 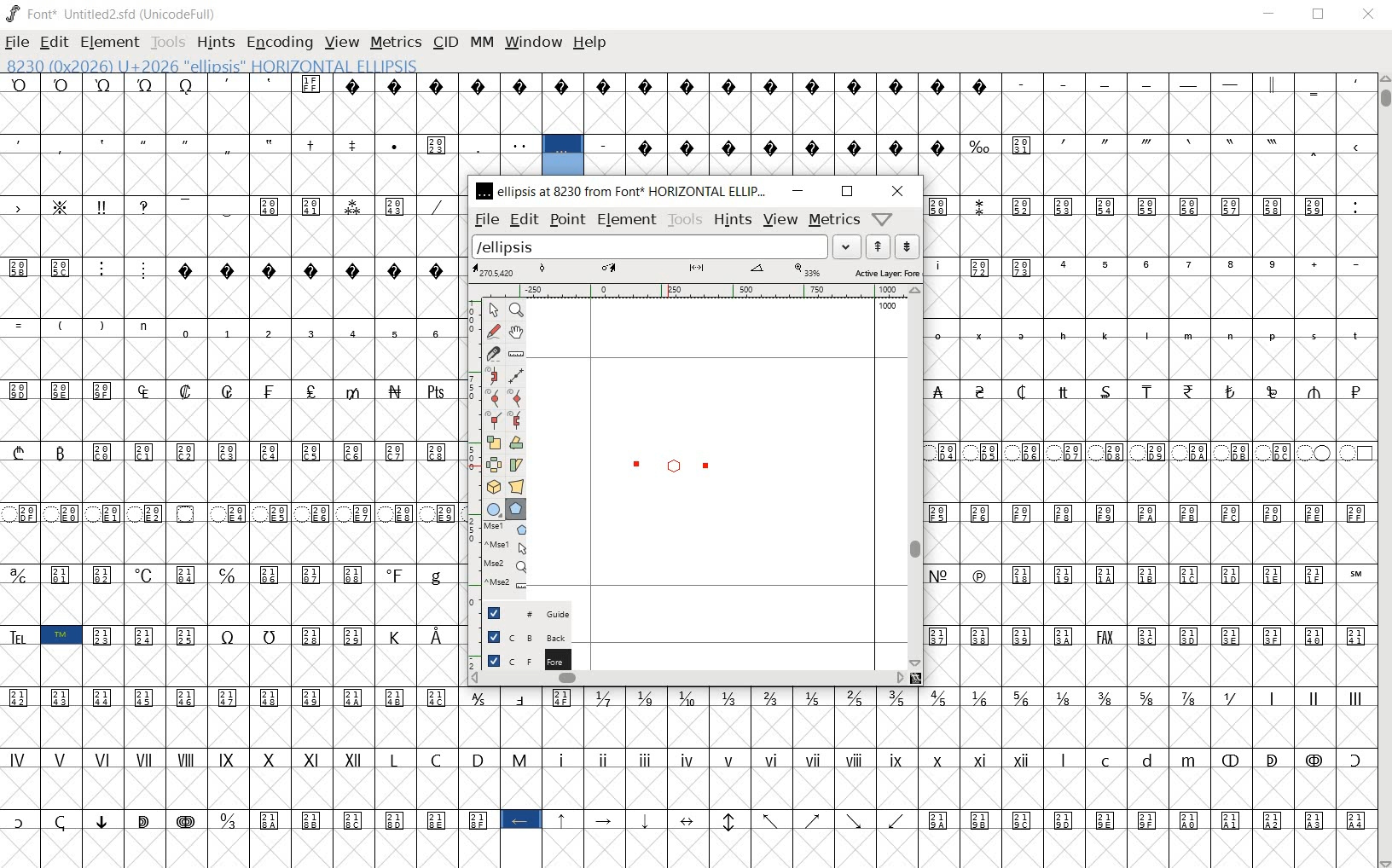 I want to click on show the previous word on the list, so click(x=907, y=246).